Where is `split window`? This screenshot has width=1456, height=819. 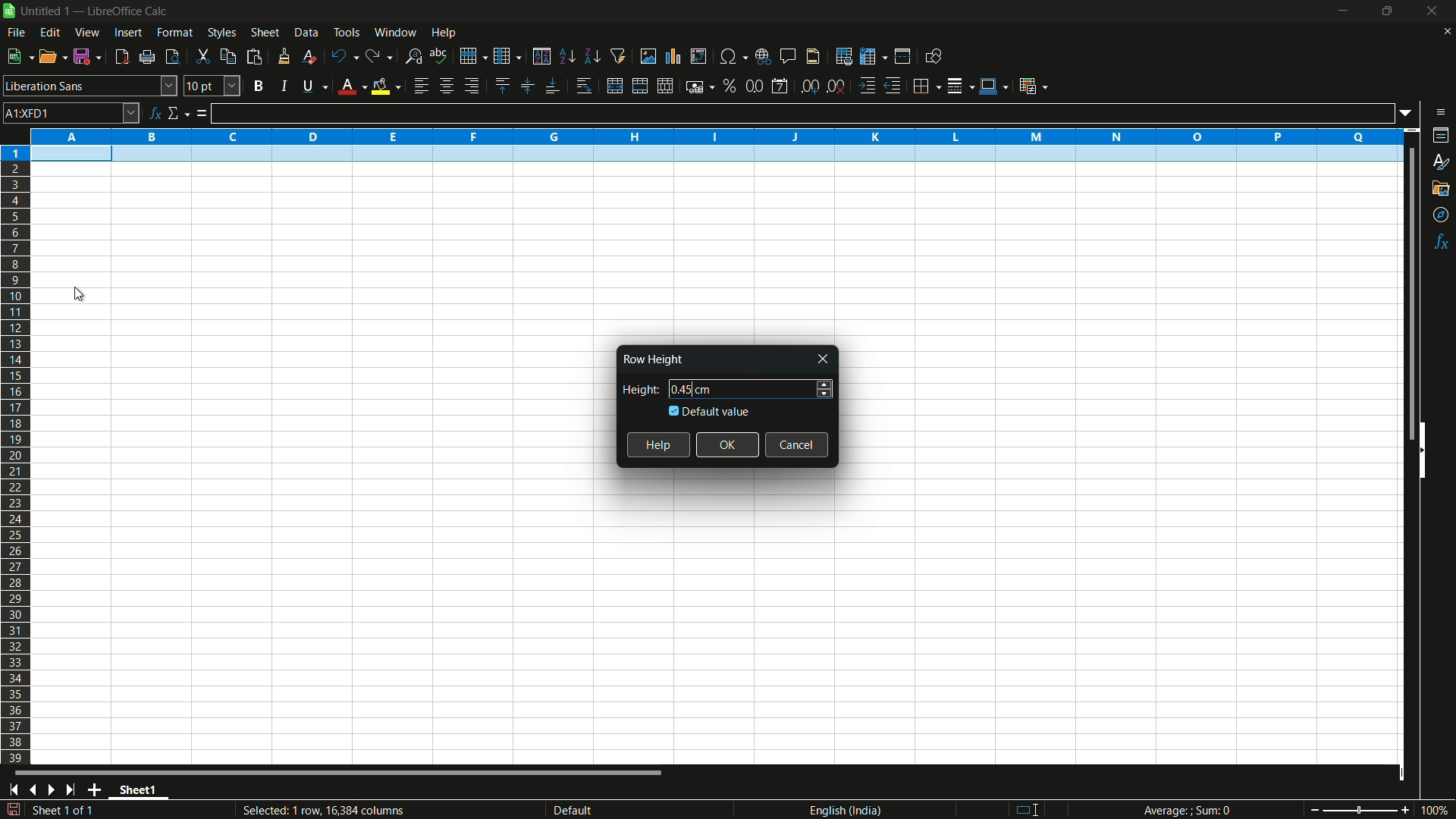 split window is located at coordinates (902, 57).